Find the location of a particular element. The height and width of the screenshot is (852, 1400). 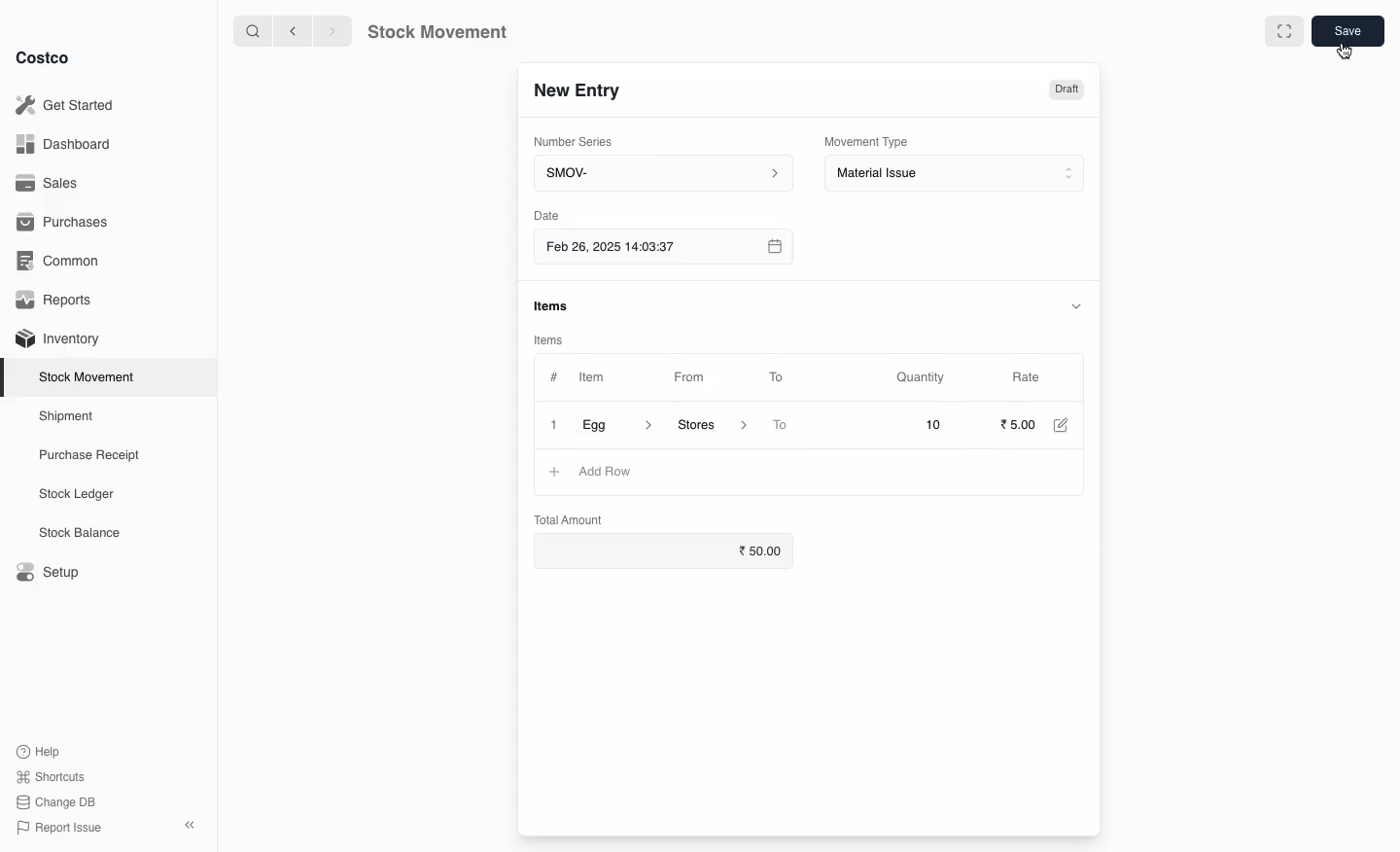

Stock Movement is located at coordinates (434, 32).